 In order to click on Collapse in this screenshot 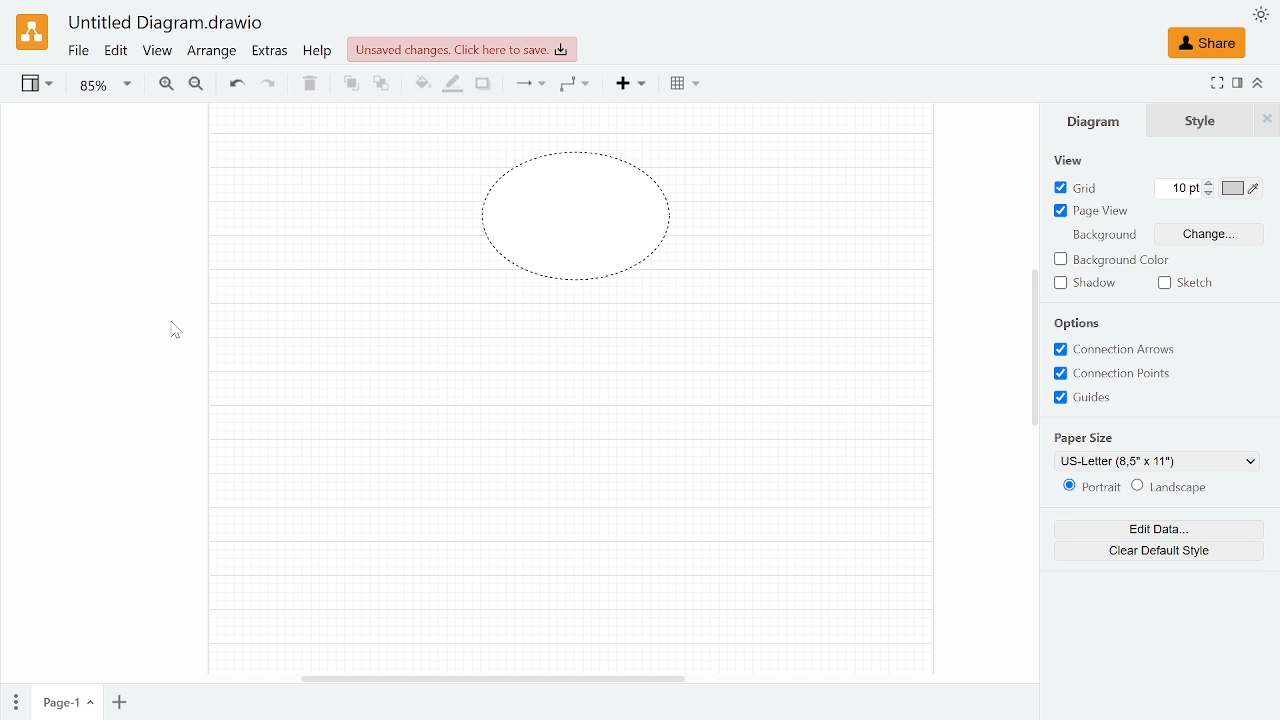, I will do `click(1256, 82)`.